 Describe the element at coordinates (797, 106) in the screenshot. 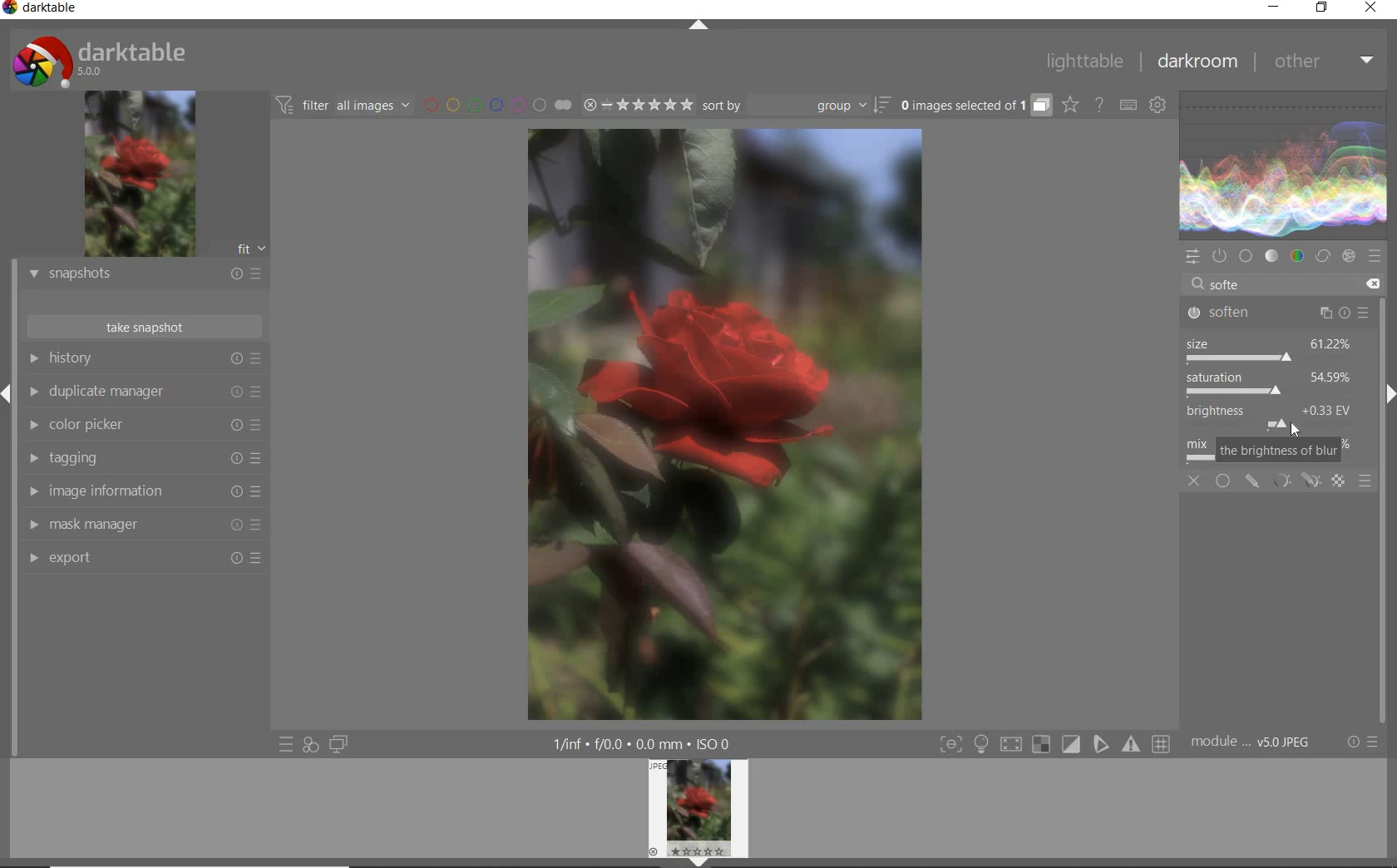

I see `sort` at that location.